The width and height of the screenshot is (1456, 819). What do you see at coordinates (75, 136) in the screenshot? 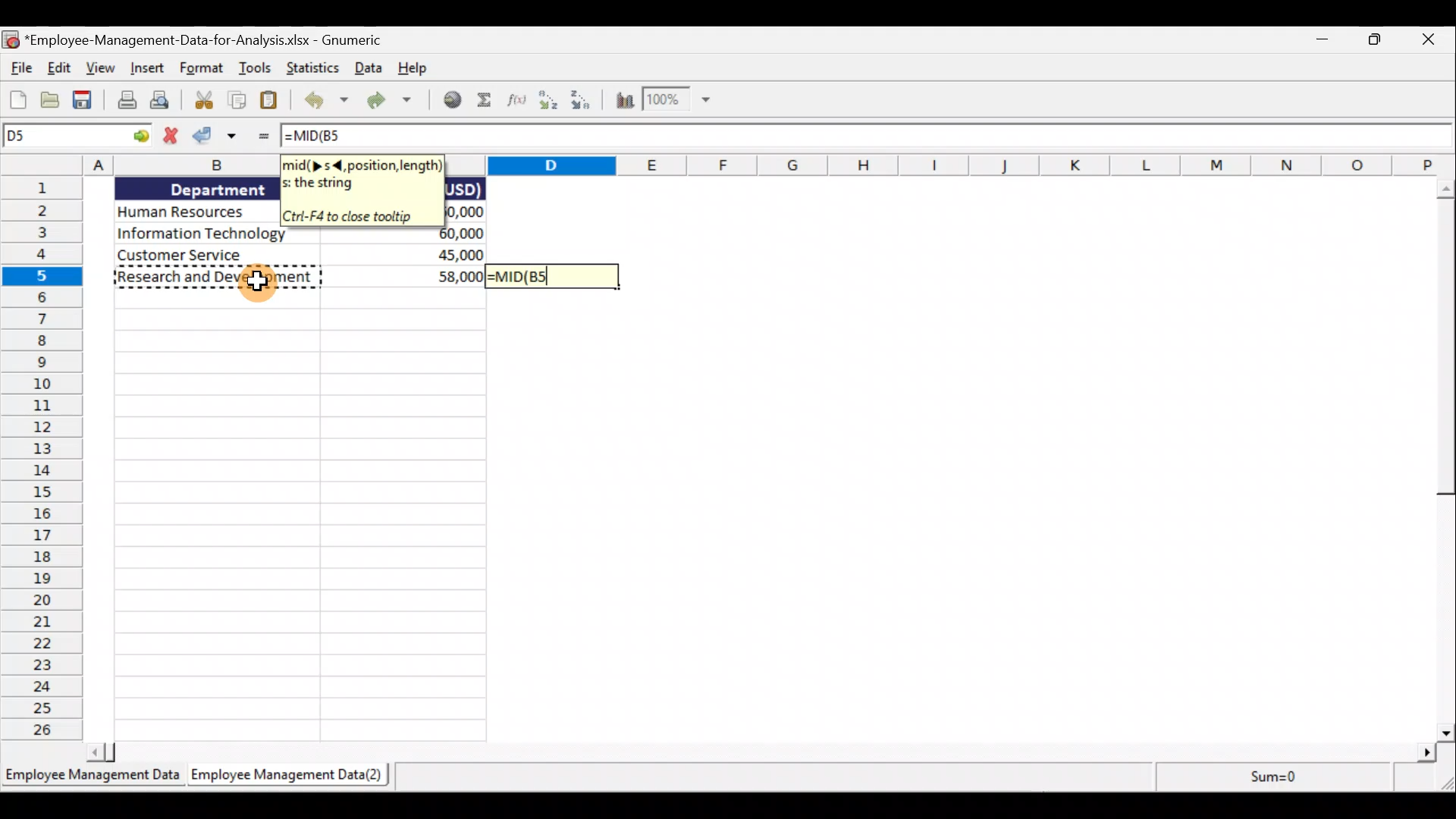
I see `Cell allocation` at bounding box center [75, 136].